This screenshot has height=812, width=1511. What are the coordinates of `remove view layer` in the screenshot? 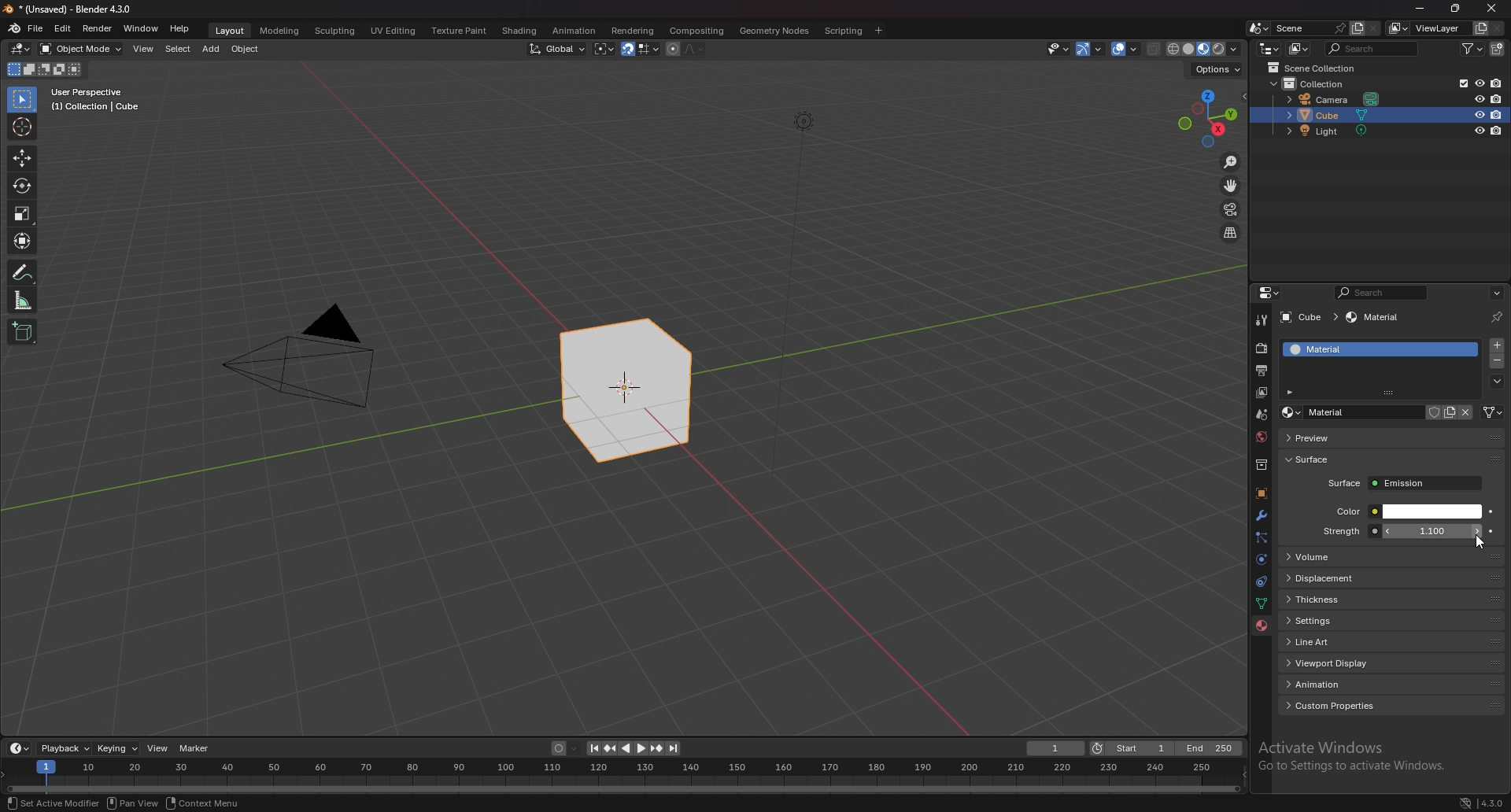 It's located at (1498, 29).